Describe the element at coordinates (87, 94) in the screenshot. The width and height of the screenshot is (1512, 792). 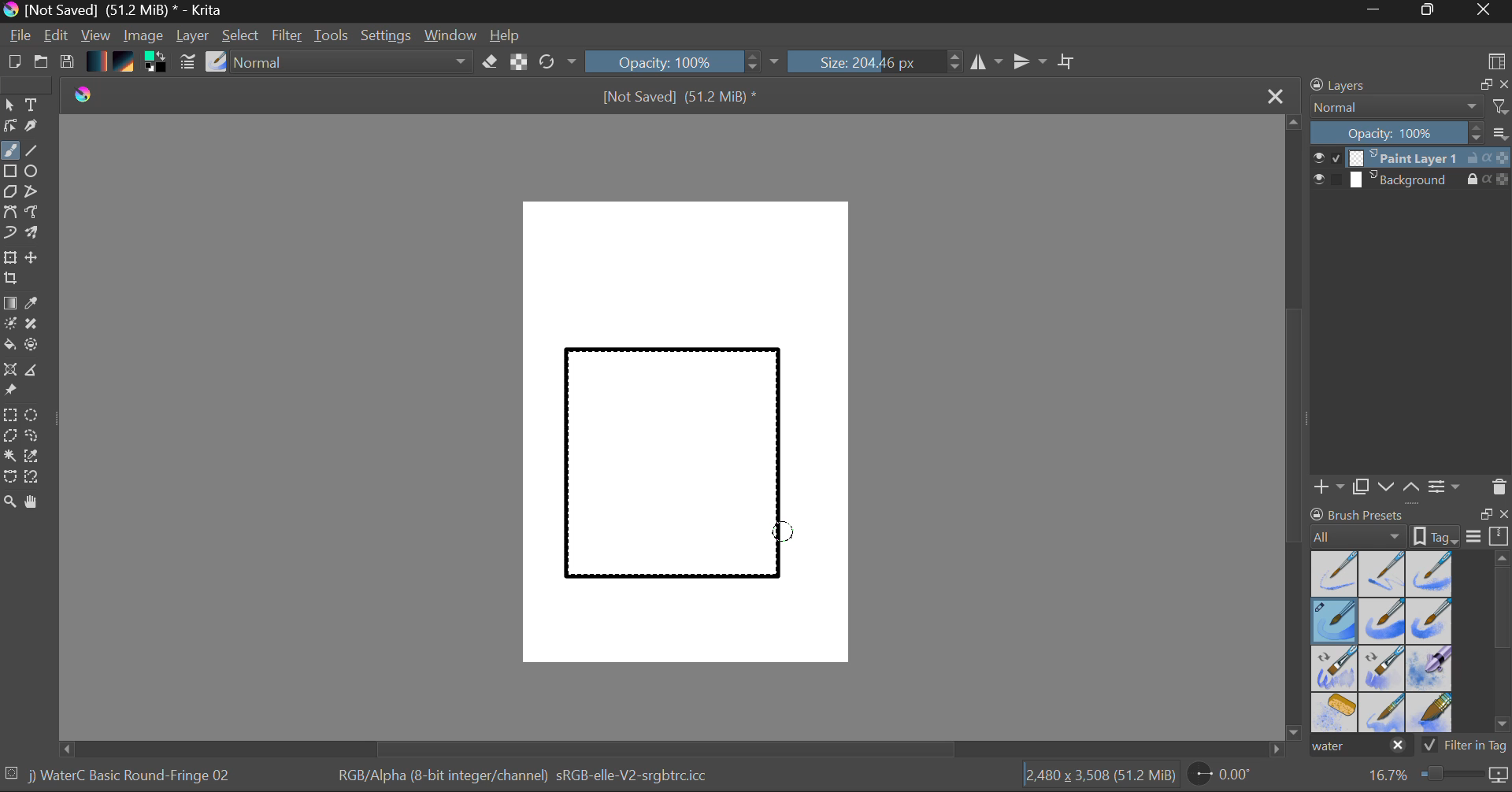
I see `logo` at that location.